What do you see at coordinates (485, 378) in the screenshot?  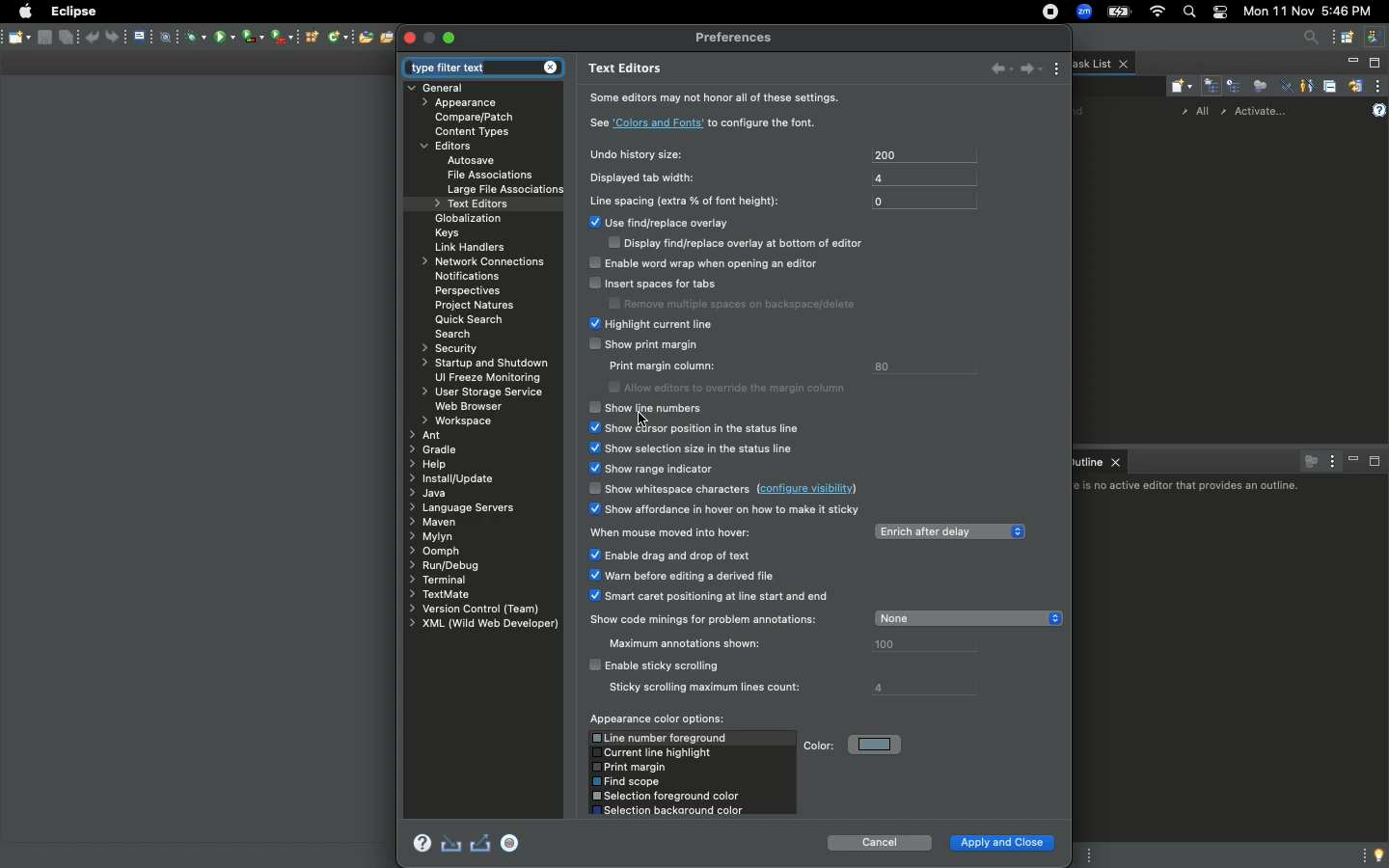 I see `UI freeze monitoring` at bounding box center [485, 378].